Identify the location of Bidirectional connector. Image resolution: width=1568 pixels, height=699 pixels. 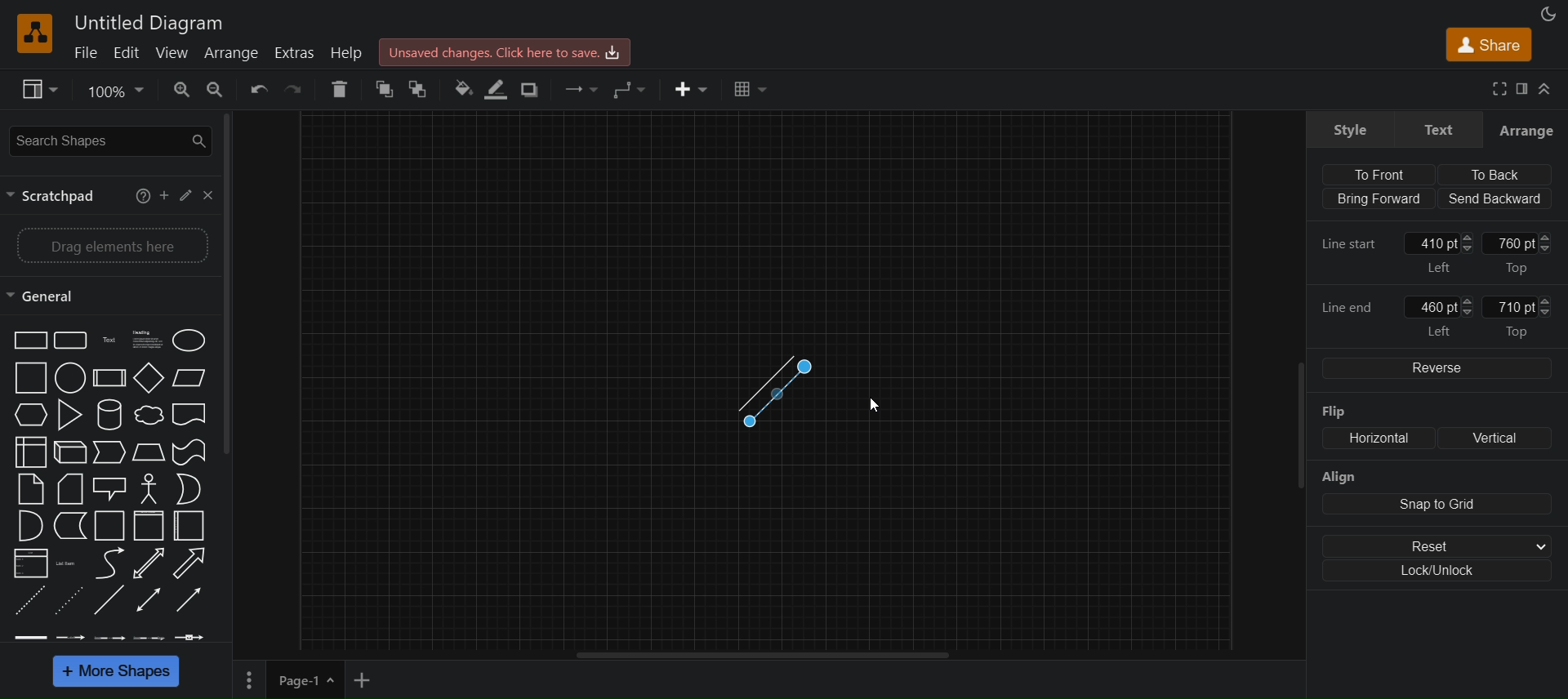
(150, 599).